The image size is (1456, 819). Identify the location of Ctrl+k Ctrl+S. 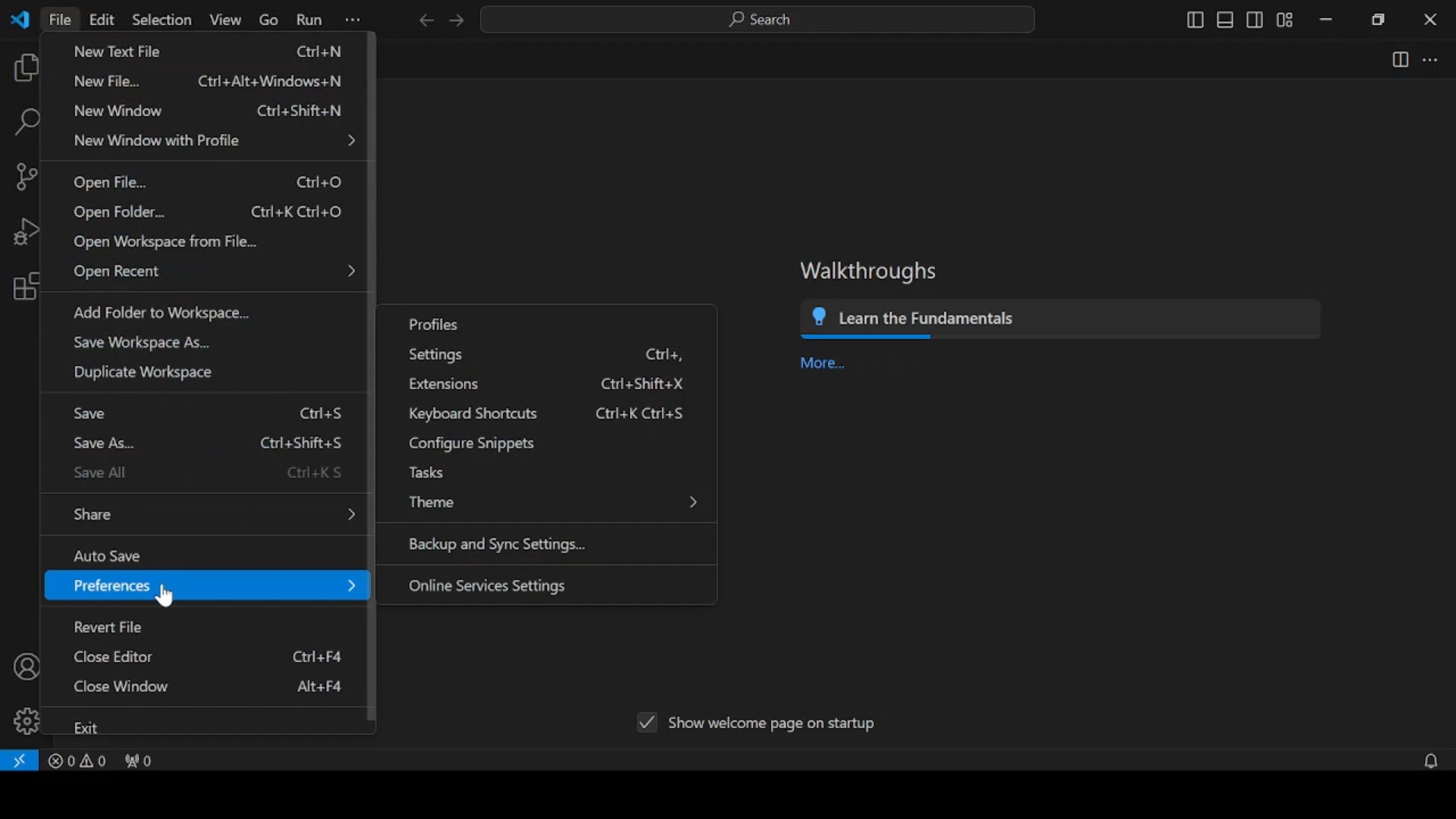
(641, 412).